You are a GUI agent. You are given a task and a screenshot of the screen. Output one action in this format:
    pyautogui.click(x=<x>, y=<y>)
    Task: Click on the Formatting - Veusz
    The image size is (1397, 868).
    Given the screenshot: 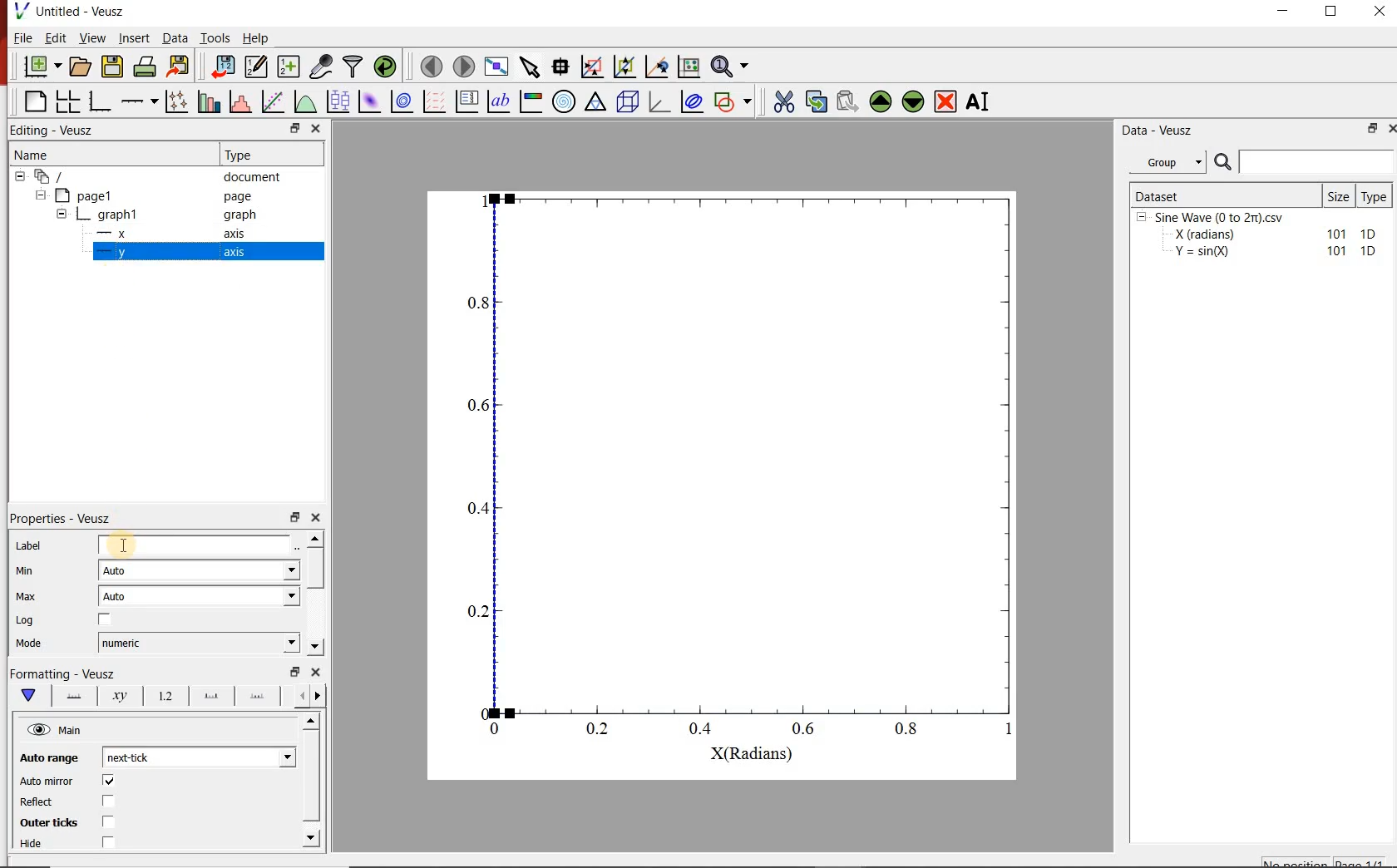 What is the action you would take?
    pyautogui.click(x=62, y=672)
    